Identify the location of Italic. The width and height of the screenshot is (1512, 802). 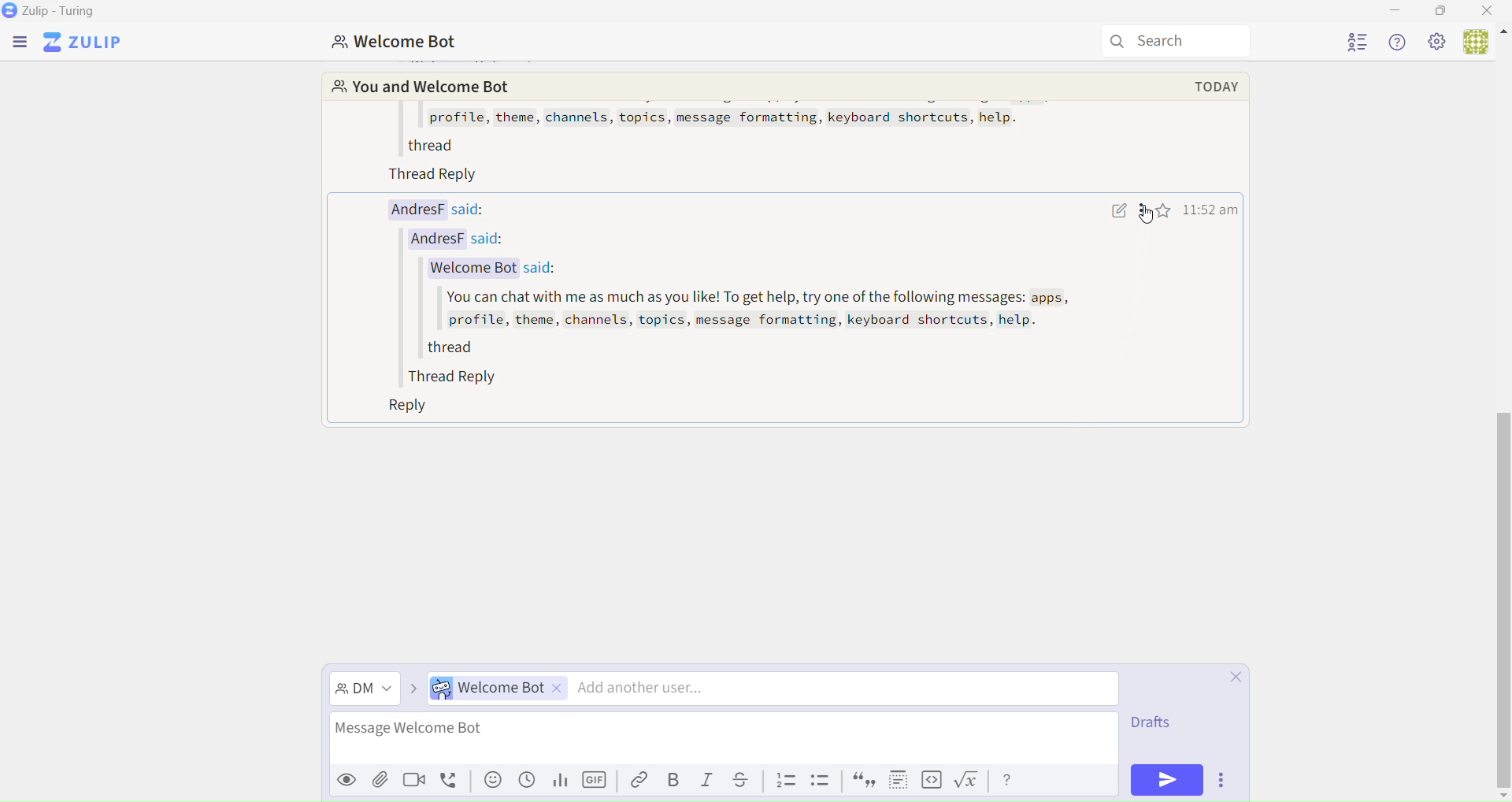
(709, 780).